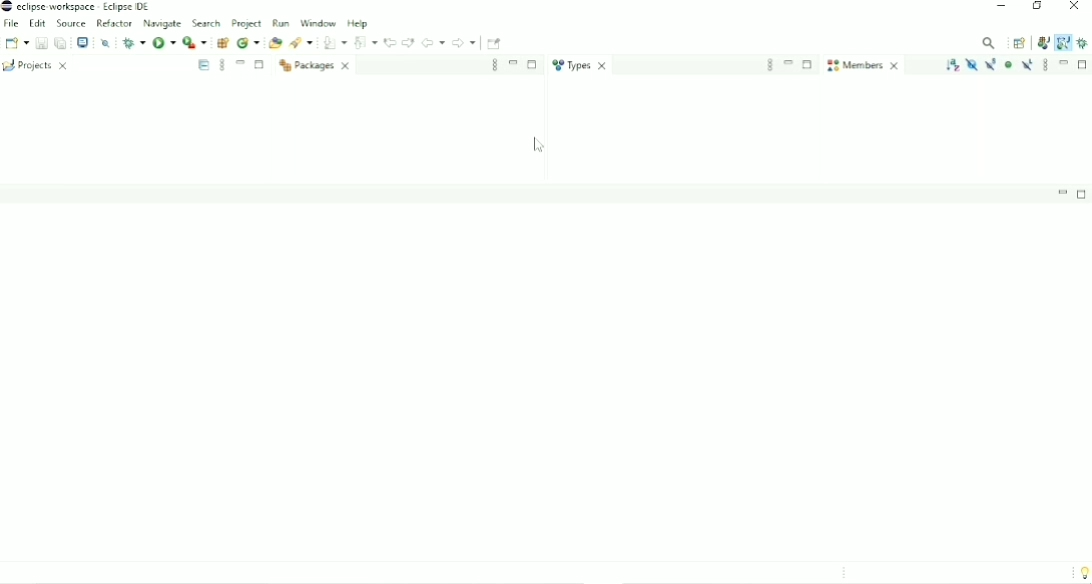  Describe the element at coordinates (463, 42) in the screenshot. I see `forward` at that location.